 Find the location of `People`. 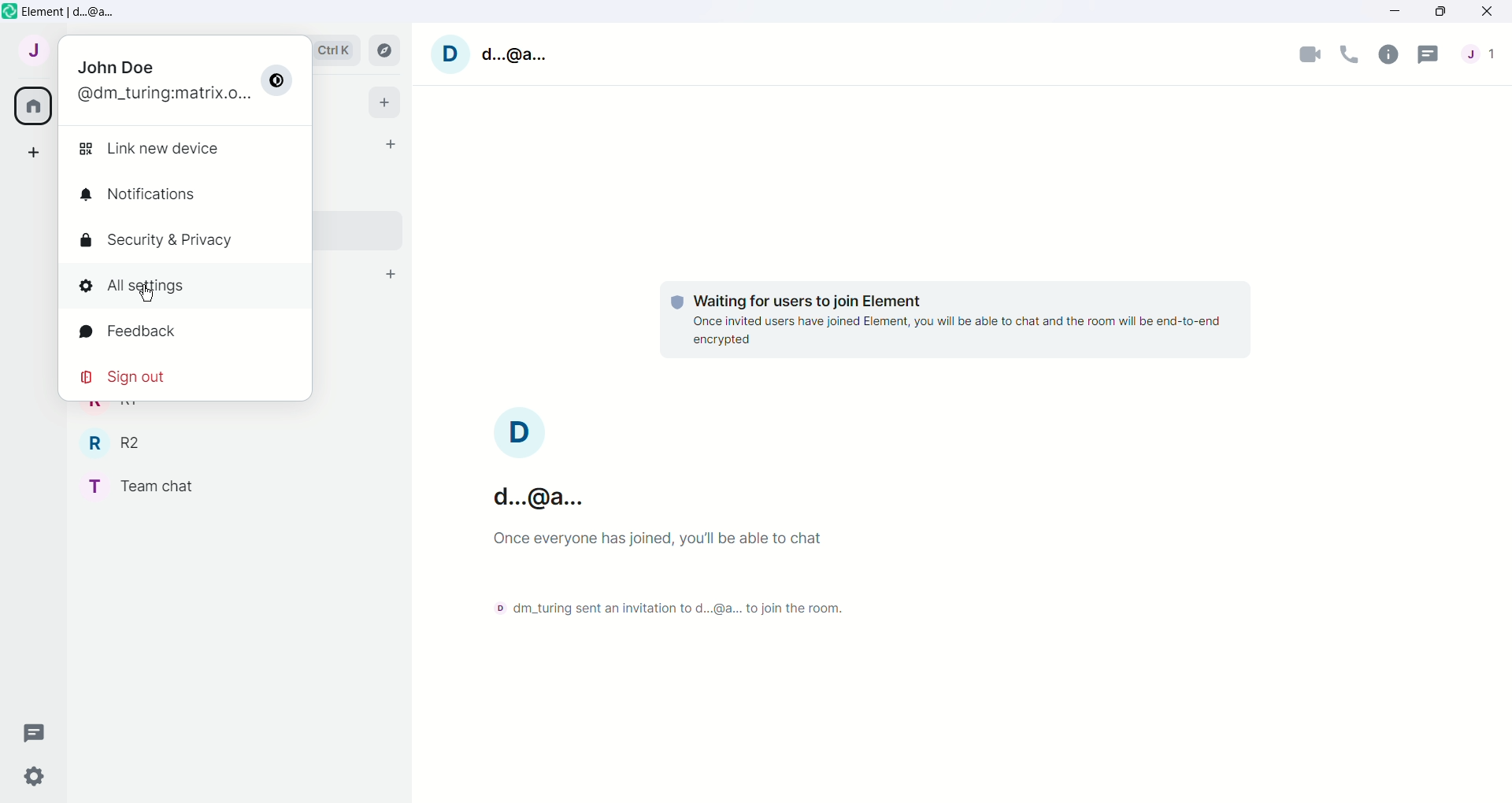

People is located at coordinates (1484, 56).